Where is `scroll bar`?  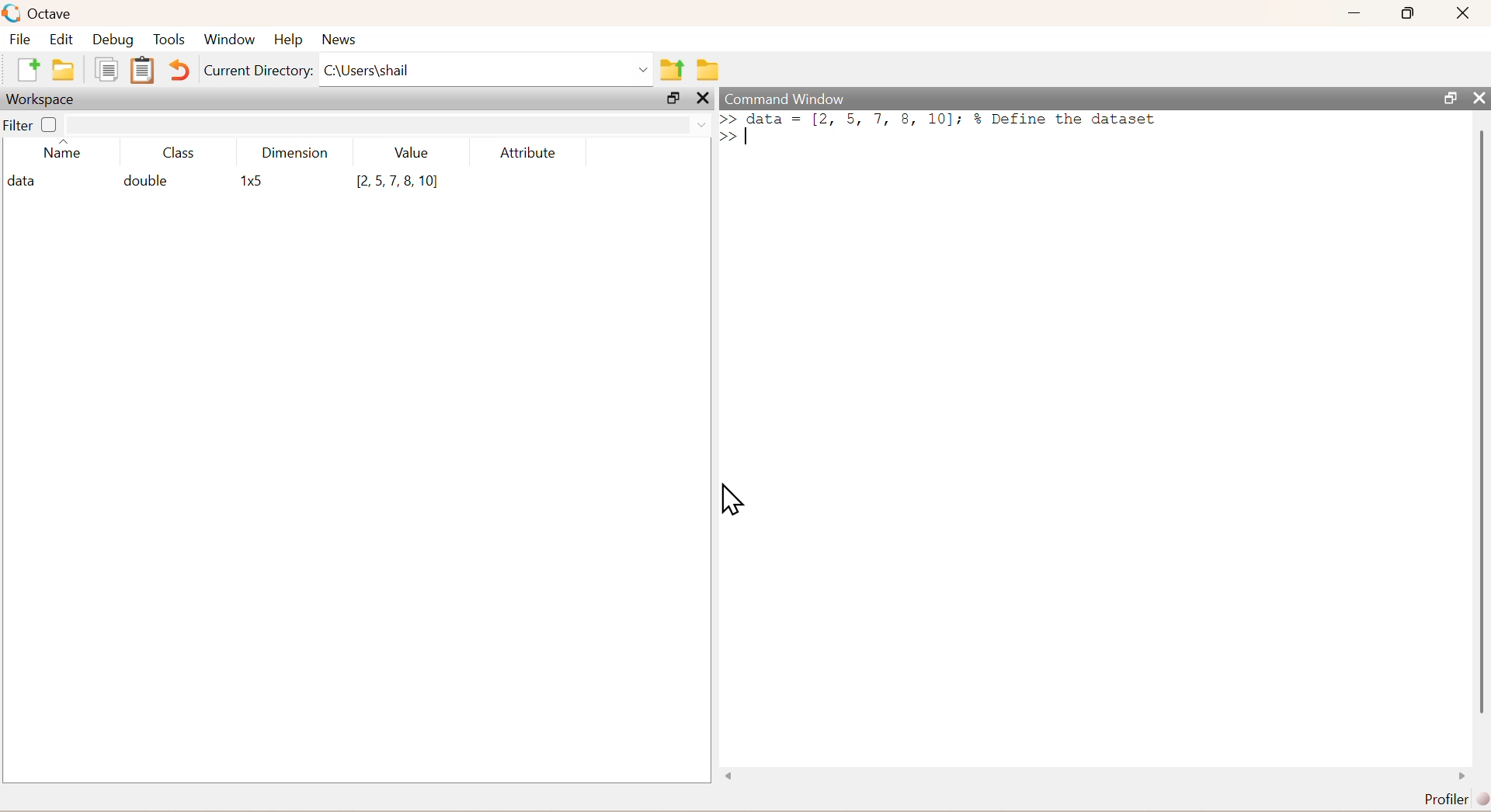
scroll bar is located at coordinates (1481, 425).